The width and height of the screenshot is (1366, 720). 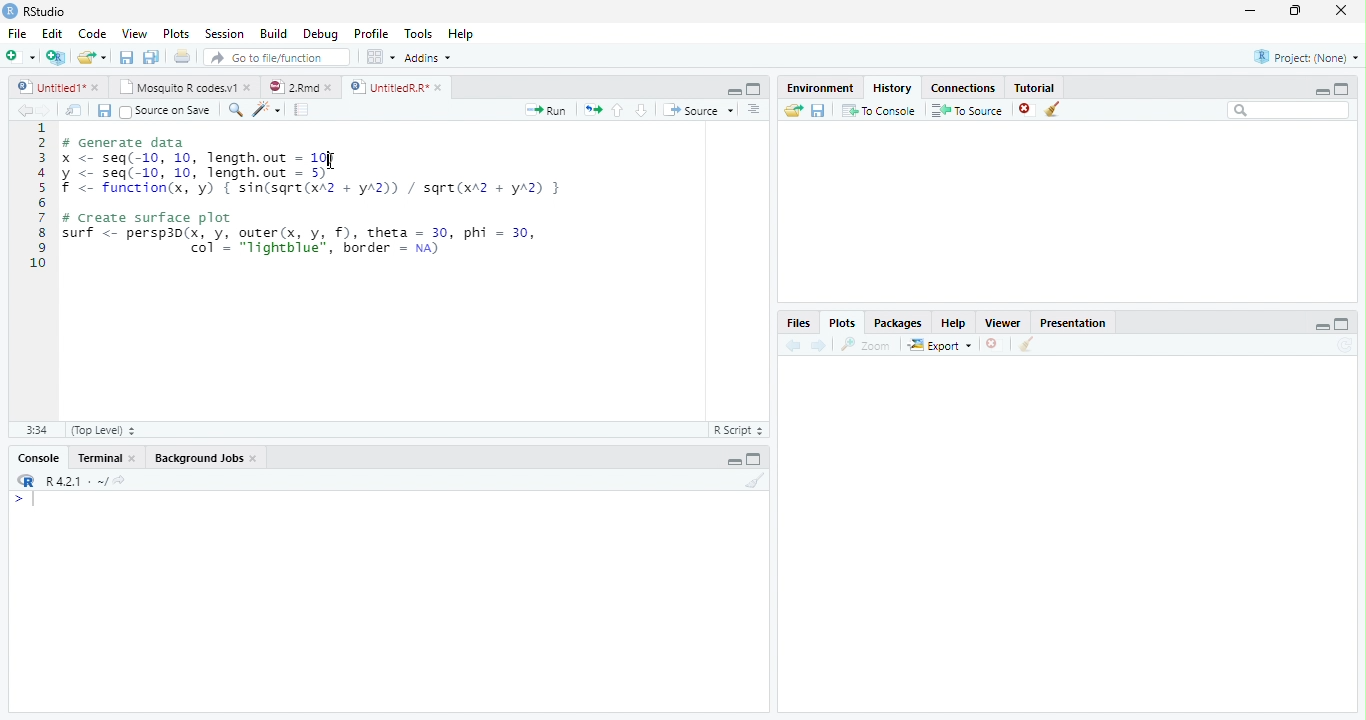 What do you see at coordinates (182, 55) in the screenshot?
I see `Print the current file` at bounding box center [182, 55].